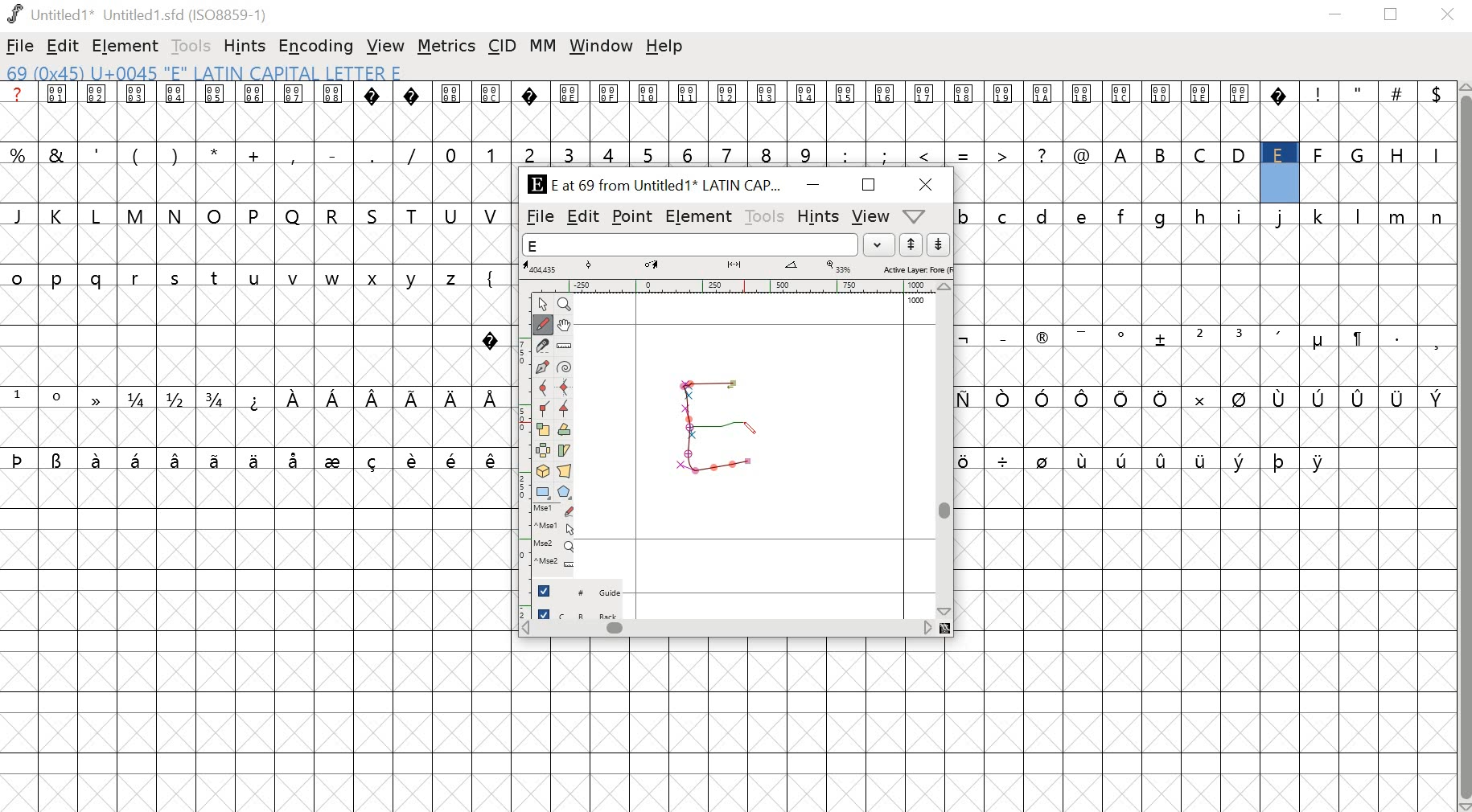 The image size is (1472, 812). What do you see at coordinates (583, 218) in the screenshot?
I see `edit` at bounding box center [583, 218].